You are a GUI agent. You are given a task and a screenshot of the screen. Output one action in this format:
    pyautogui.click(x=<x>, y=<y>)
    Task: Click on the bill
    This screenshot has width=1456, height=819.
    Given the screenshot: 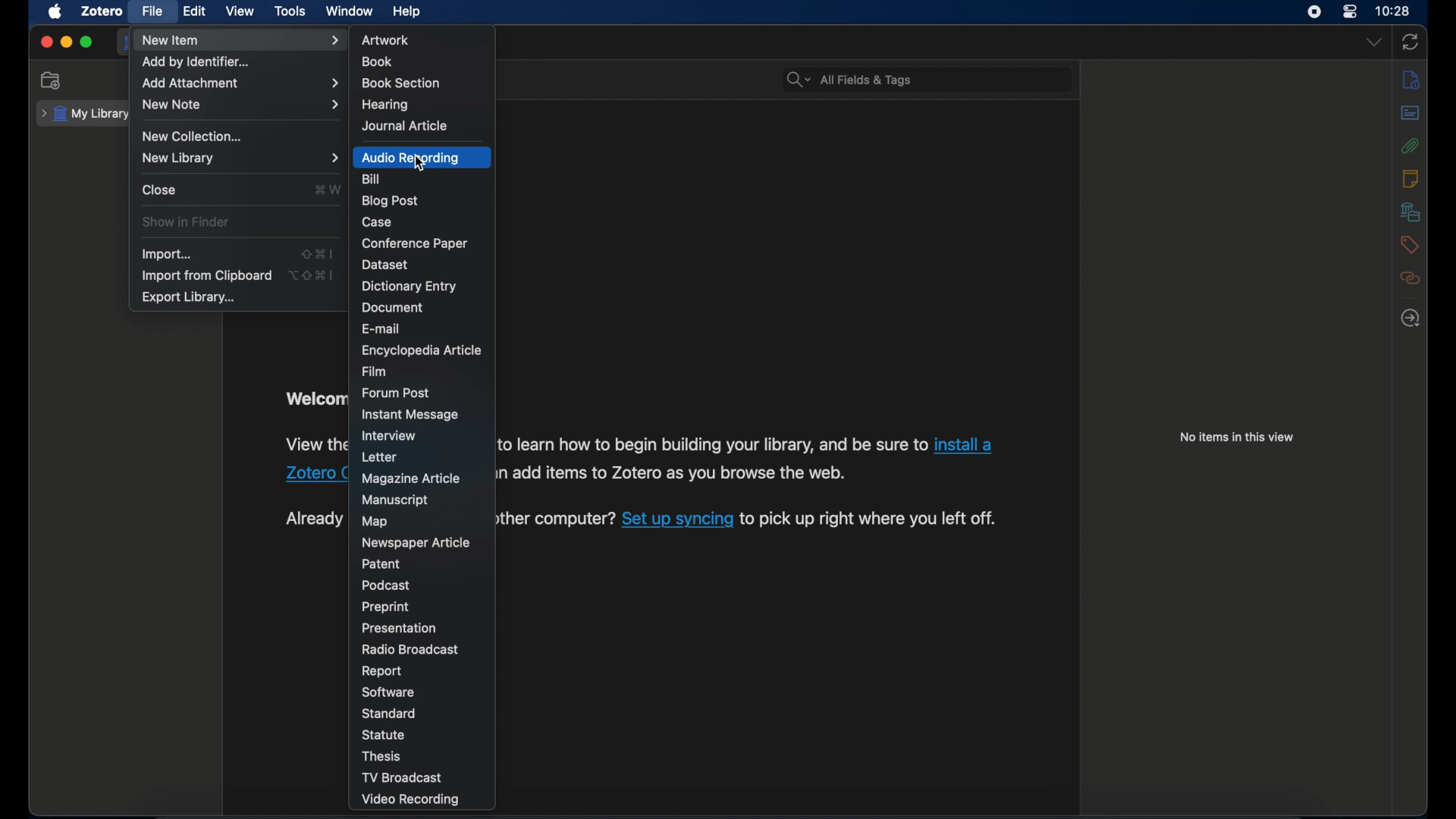 What is the action you would take?
    pyautogui.click(x=372, y=179)
    